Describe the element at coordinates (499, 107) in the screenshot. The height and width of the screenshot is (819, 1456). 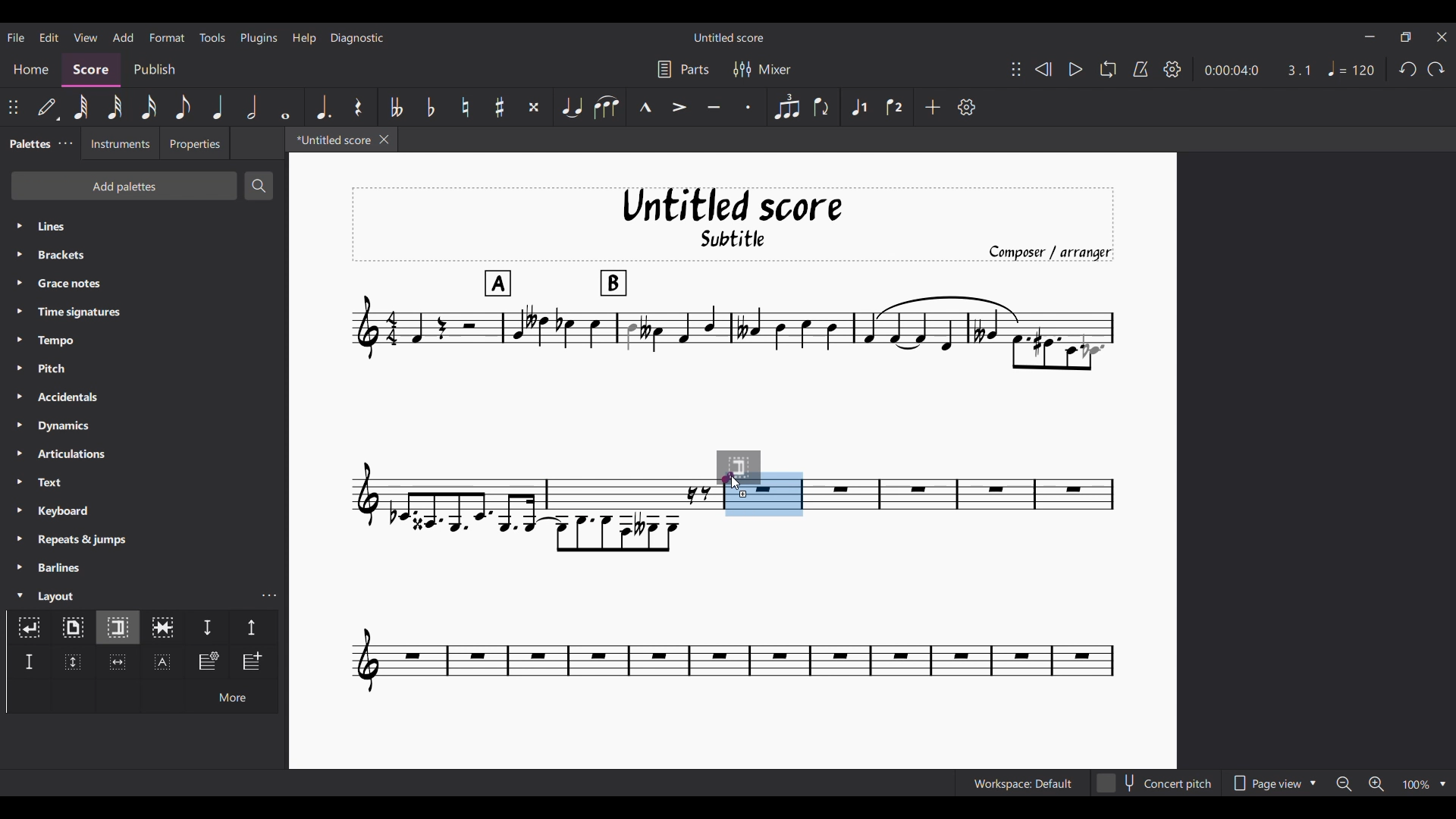
I see `Toggle sharp` at that location.